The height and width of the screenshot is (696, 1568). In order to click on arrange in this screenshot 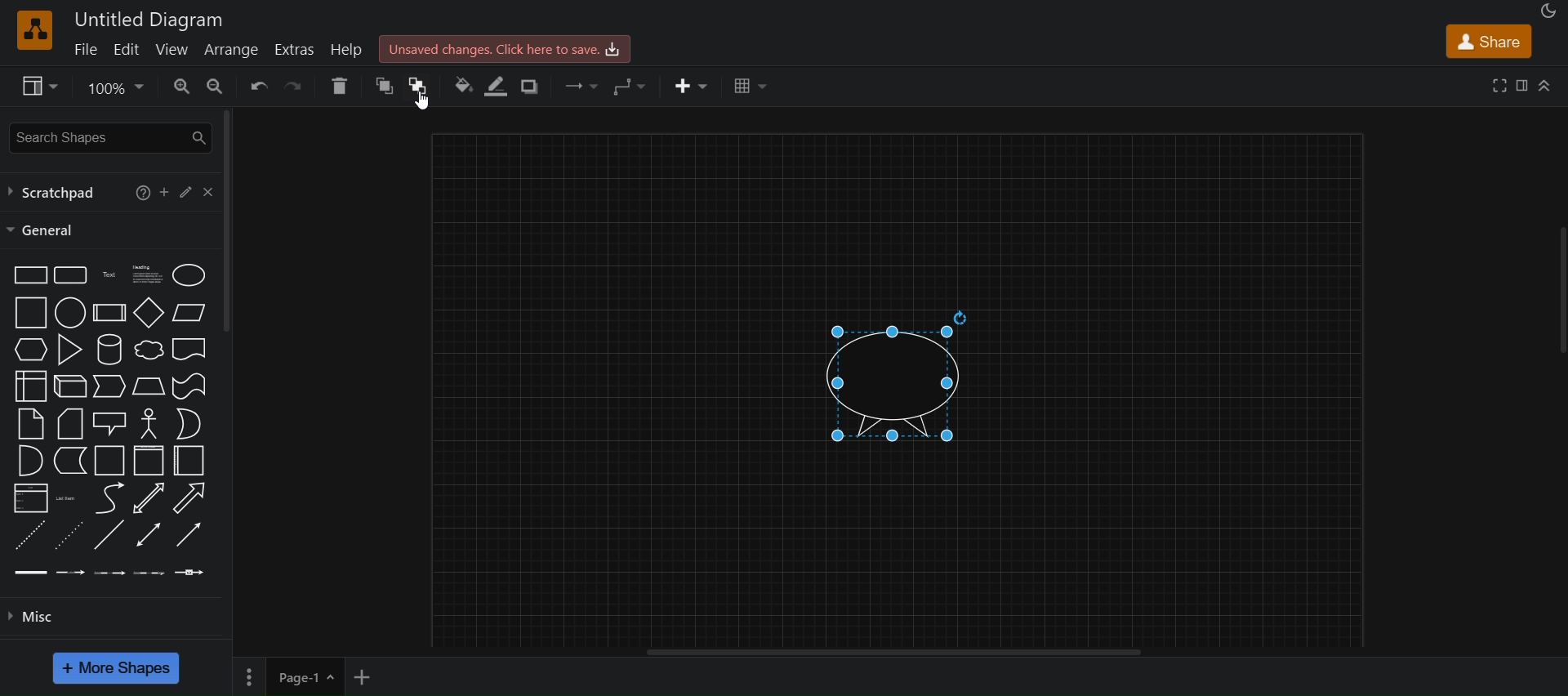, I will do `click(230, 49)`.